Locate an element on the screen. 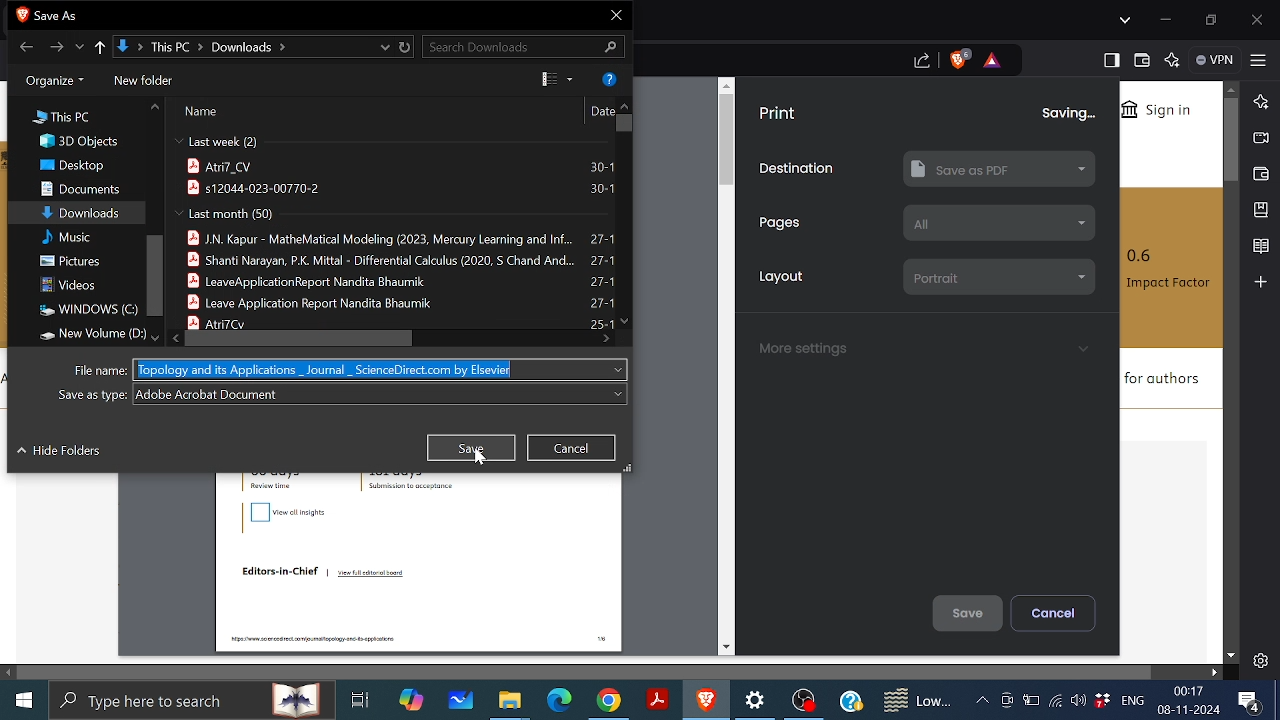  for authors is located at coordinates (1166, 380).